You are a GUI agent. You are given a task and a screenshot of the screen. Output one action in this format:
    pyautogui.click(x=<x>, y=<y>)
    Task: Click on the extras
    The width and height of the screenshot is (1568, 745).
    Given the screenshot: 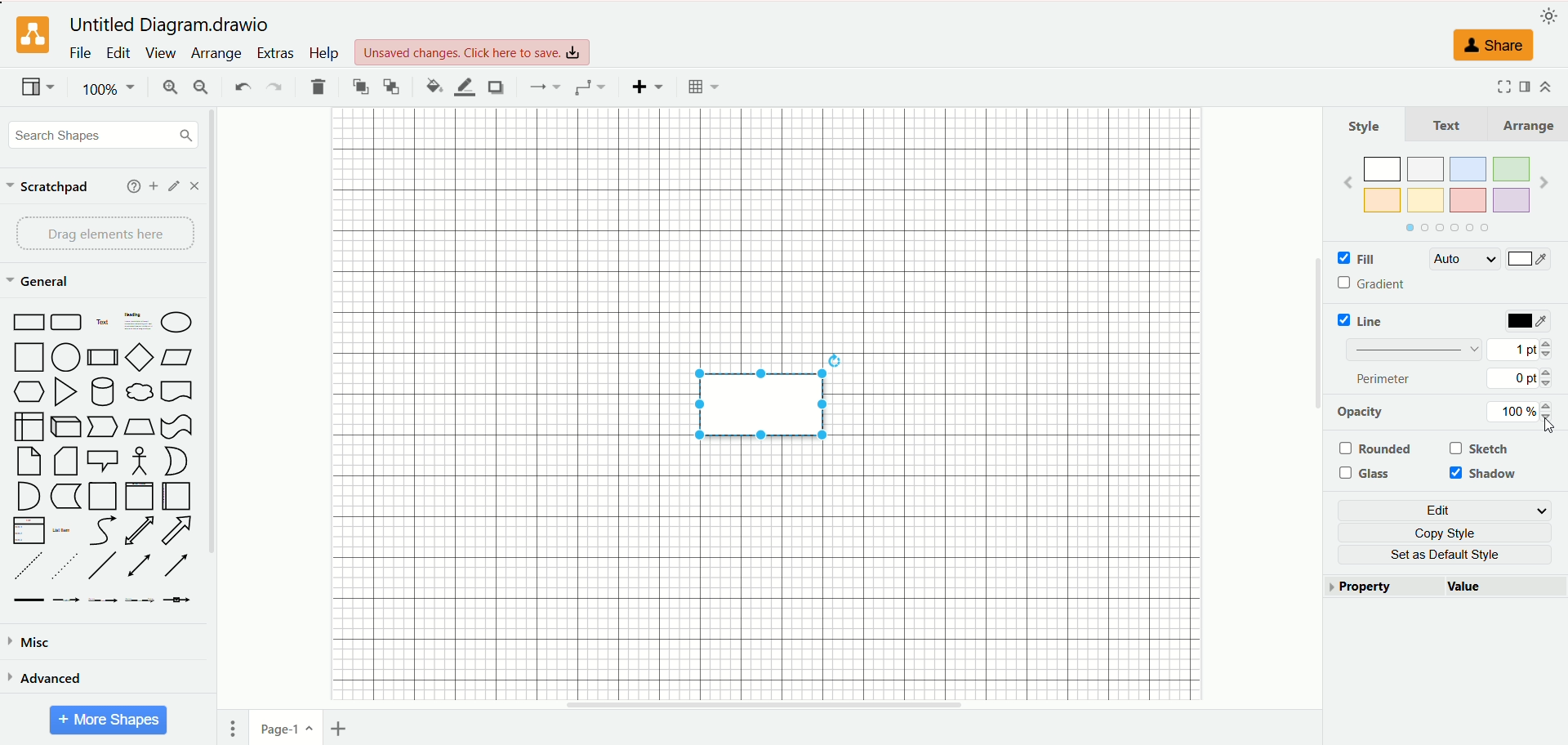 What is the action you would take?
    pyautogui.click(x=277, y=53)
    